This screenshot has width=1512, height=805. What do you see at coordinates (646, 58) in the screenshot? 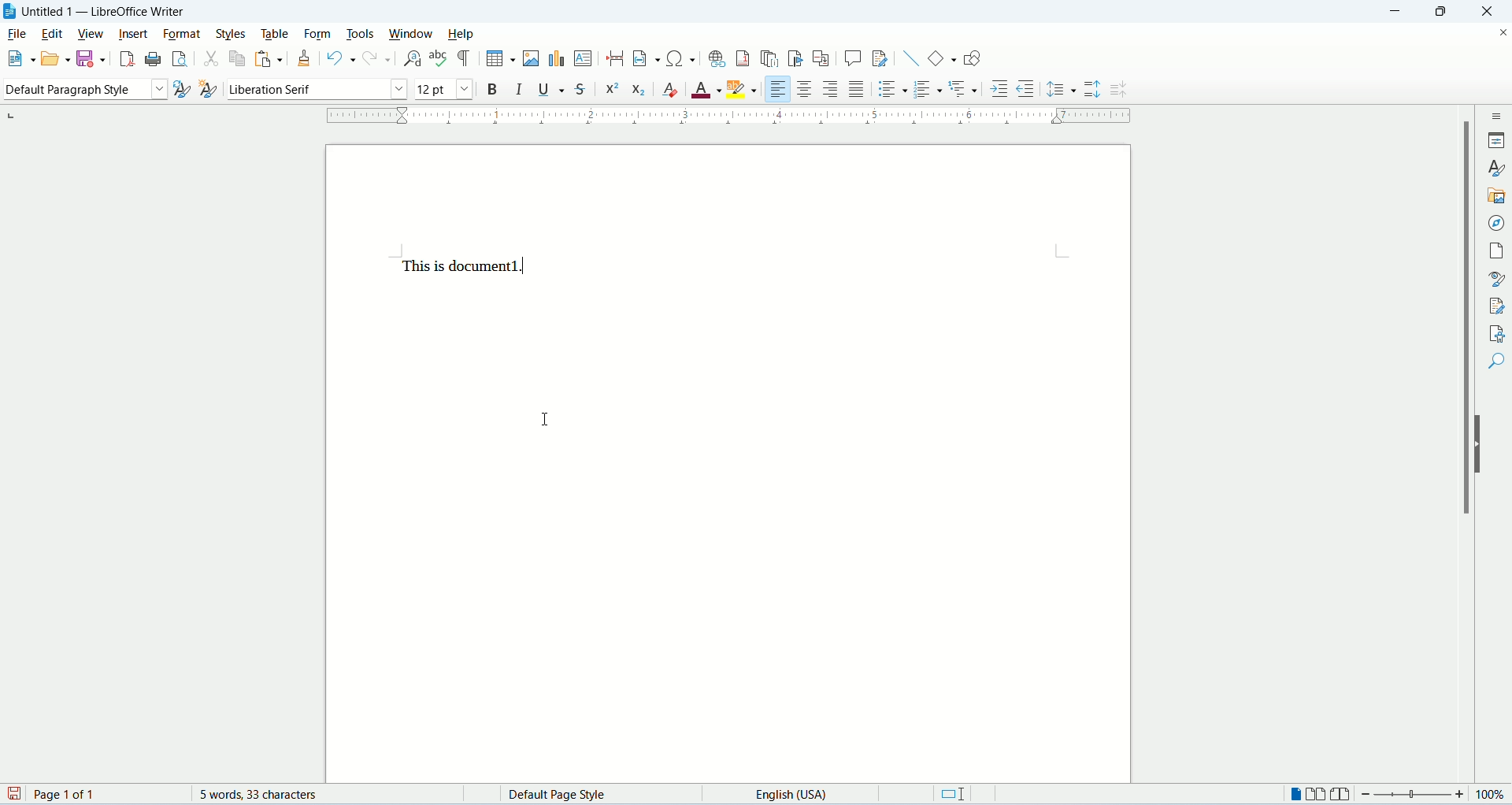
I see `insert field` at bounding box center [646, 58].